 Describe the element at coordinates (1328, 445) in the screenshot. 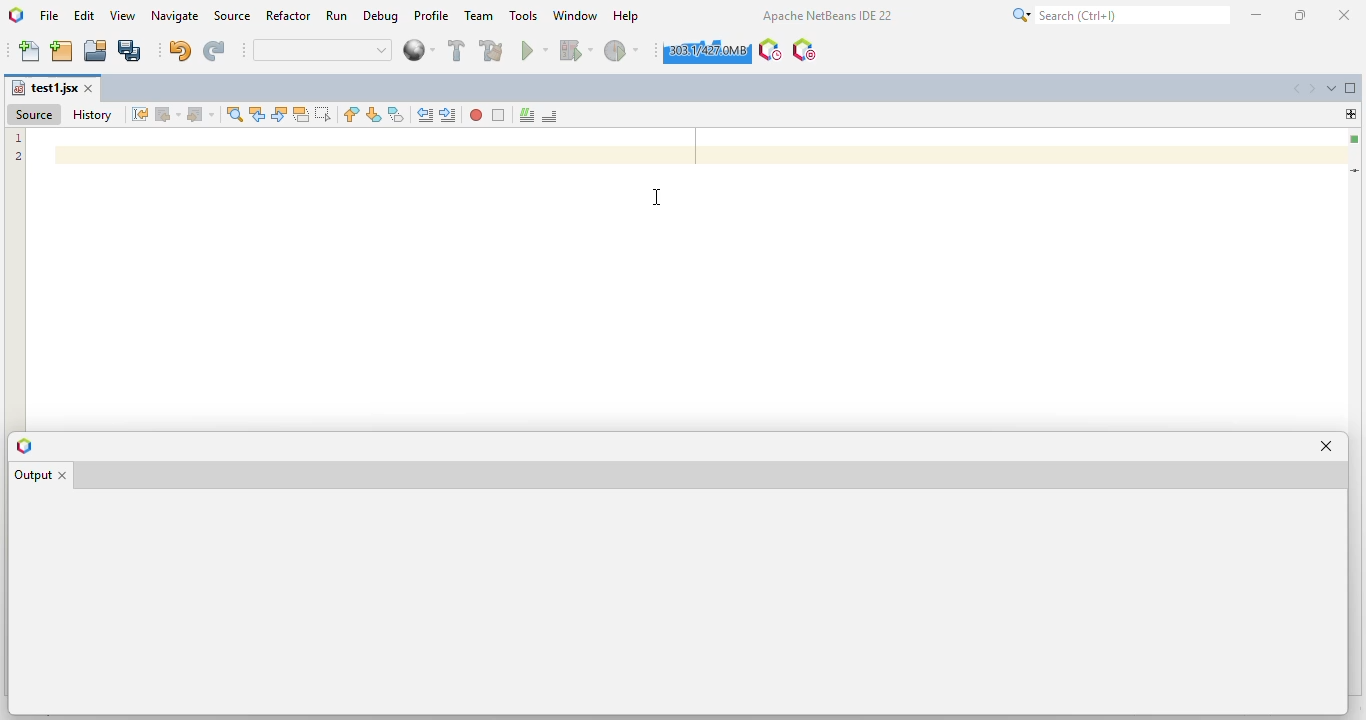

I see `close` at that location.